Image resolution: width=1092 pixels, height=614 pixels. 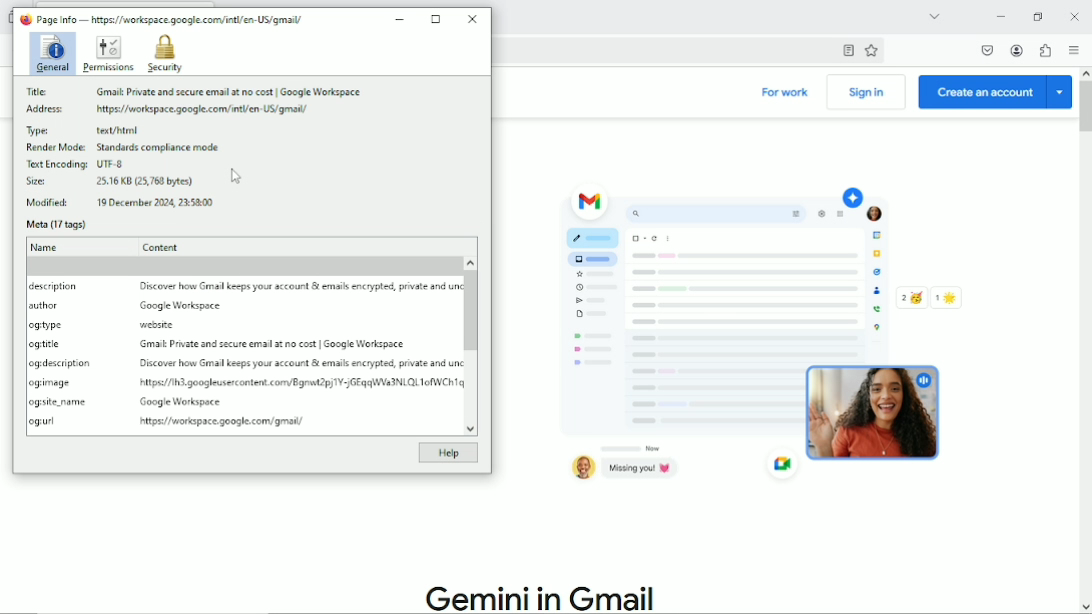 I want to click on Modified, so click(x=47, y=202).